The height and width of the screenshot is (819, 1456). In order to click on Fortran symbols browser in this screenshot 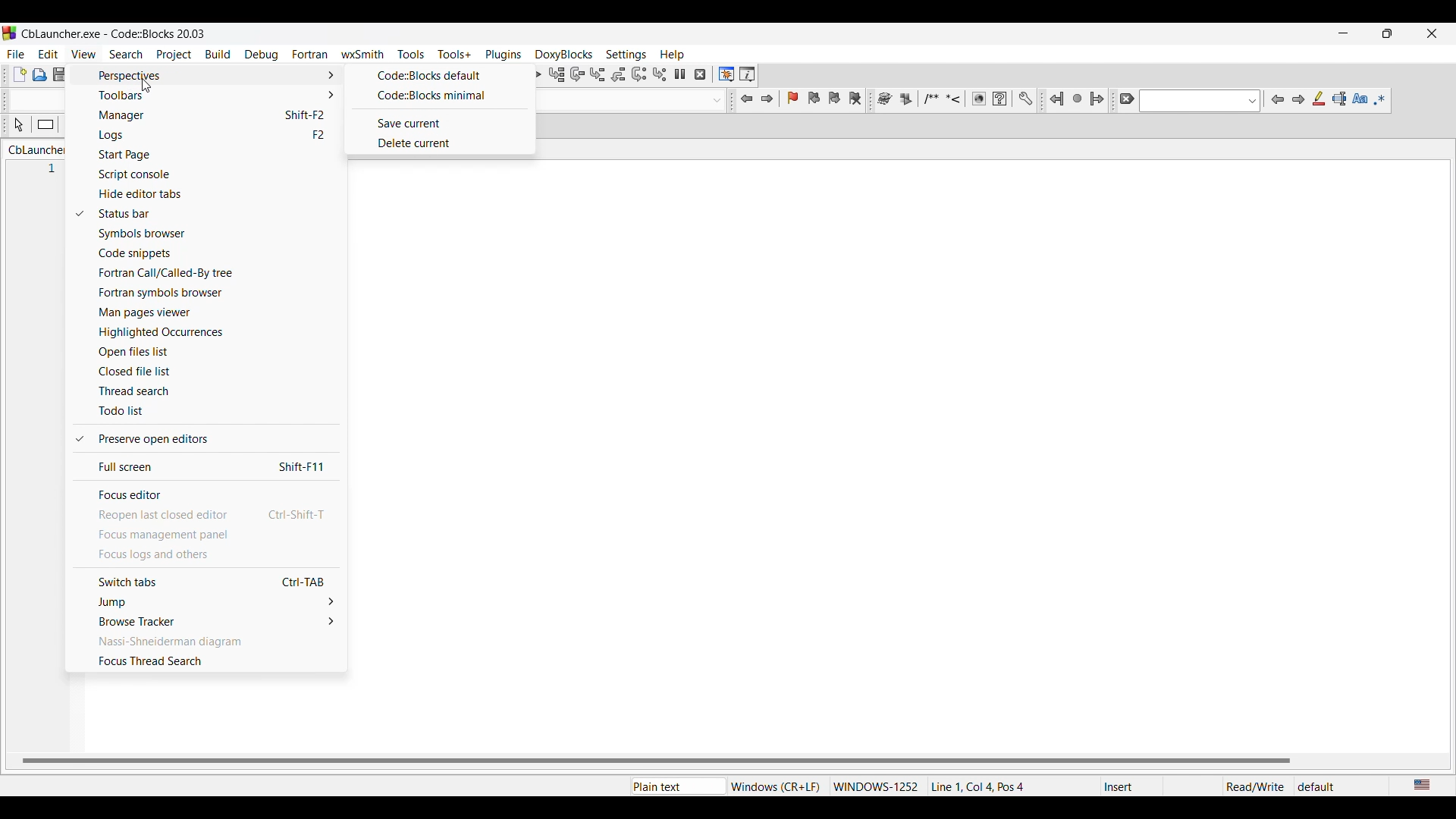, I will do `click(218, 293)`.